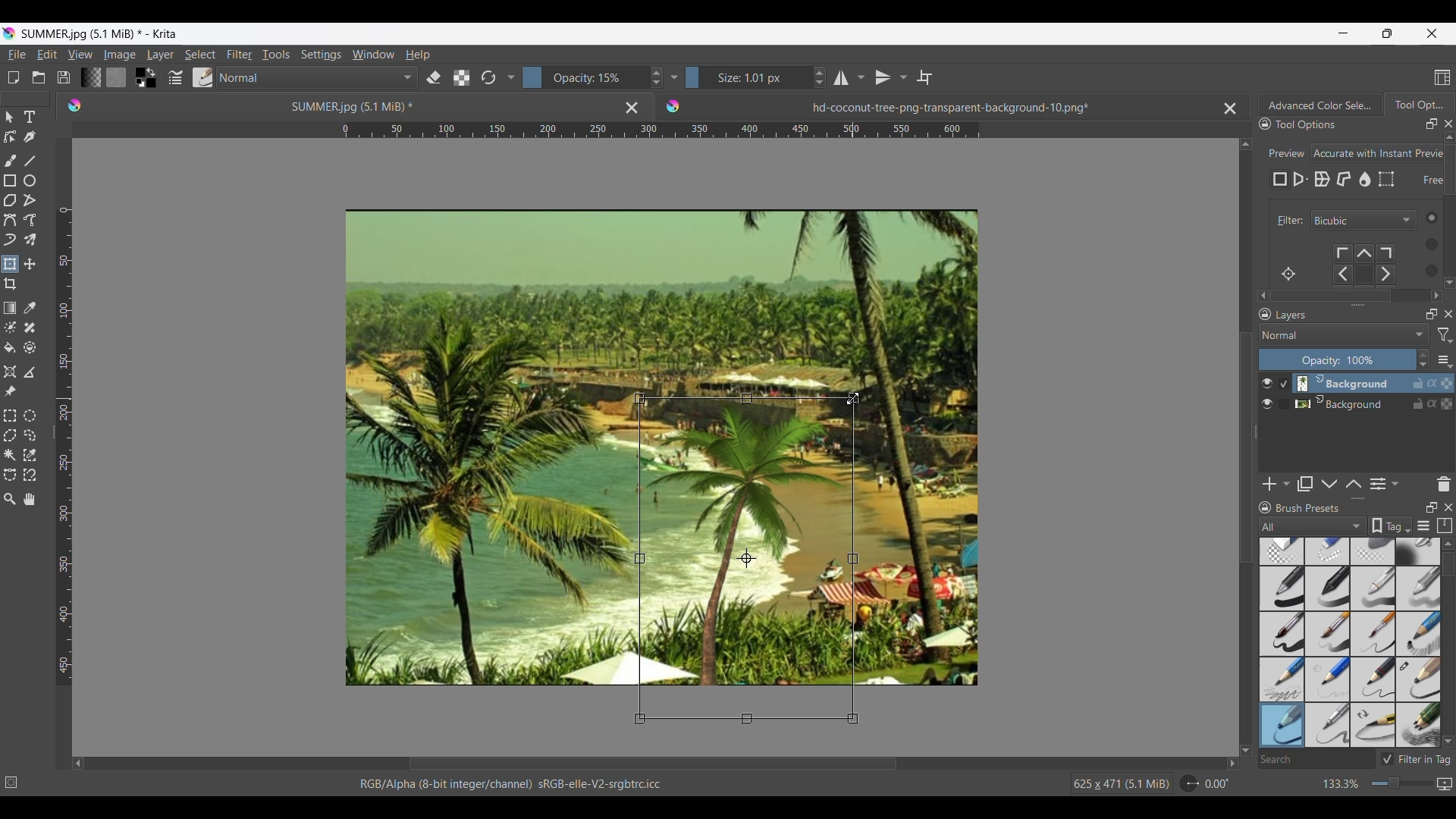  I want to click on Sync, so click(1434, 383).